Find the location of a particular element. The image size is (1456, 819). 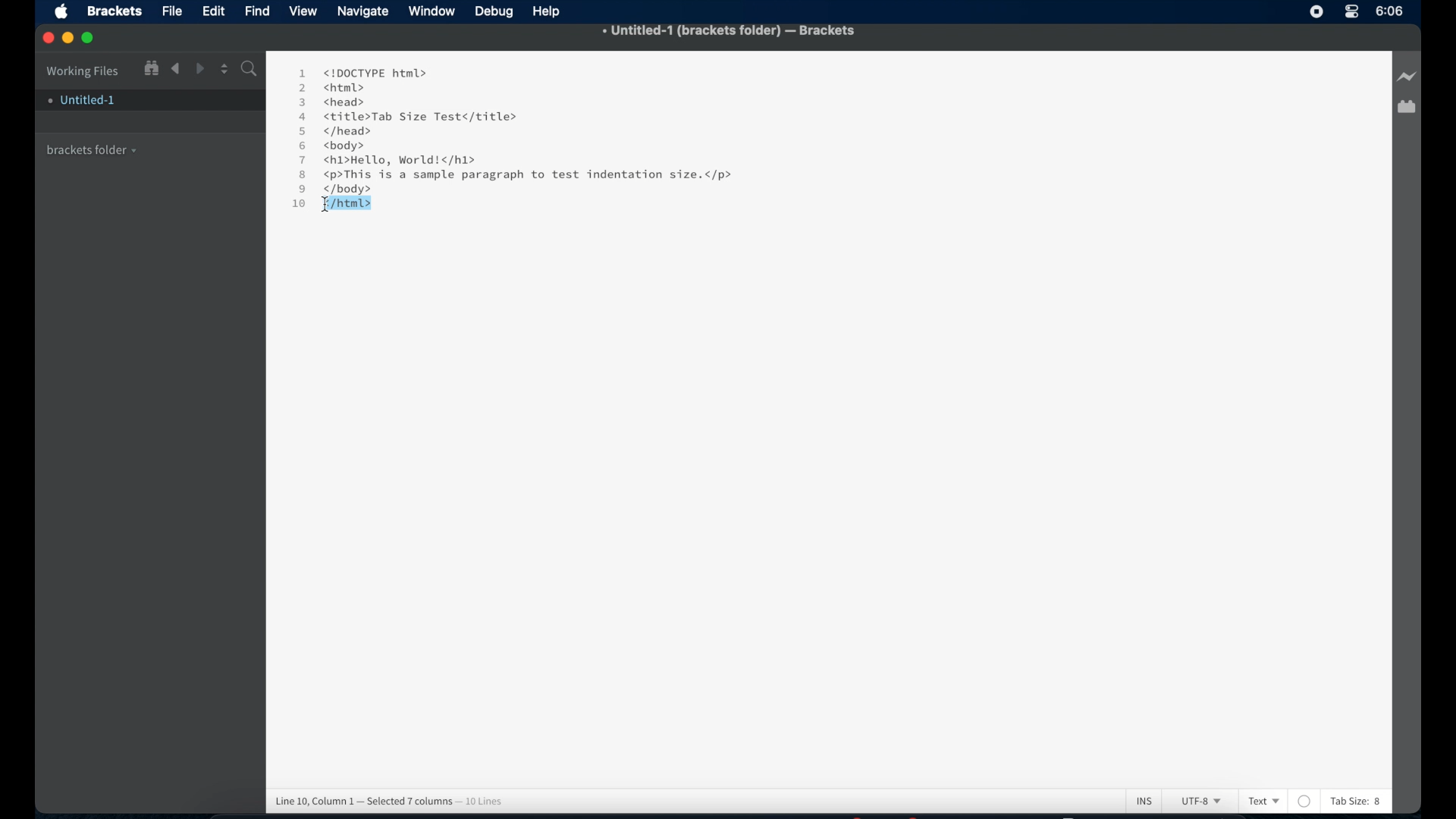

9 </body> is located at coordinates (332, 190).